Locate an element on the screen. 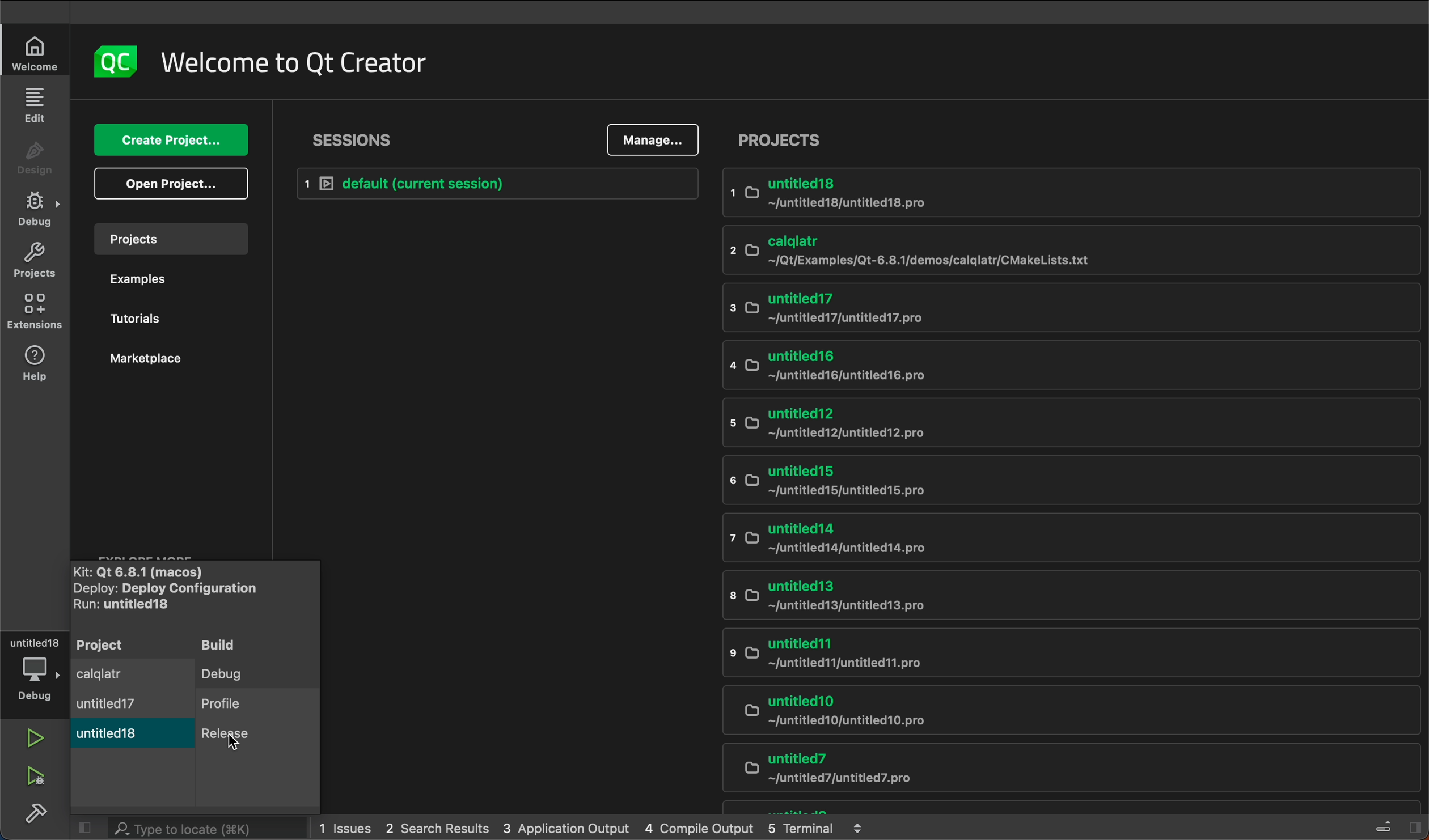 The height and width of the screenshot is (840, 1429). build is located at coordinates (251, 646).